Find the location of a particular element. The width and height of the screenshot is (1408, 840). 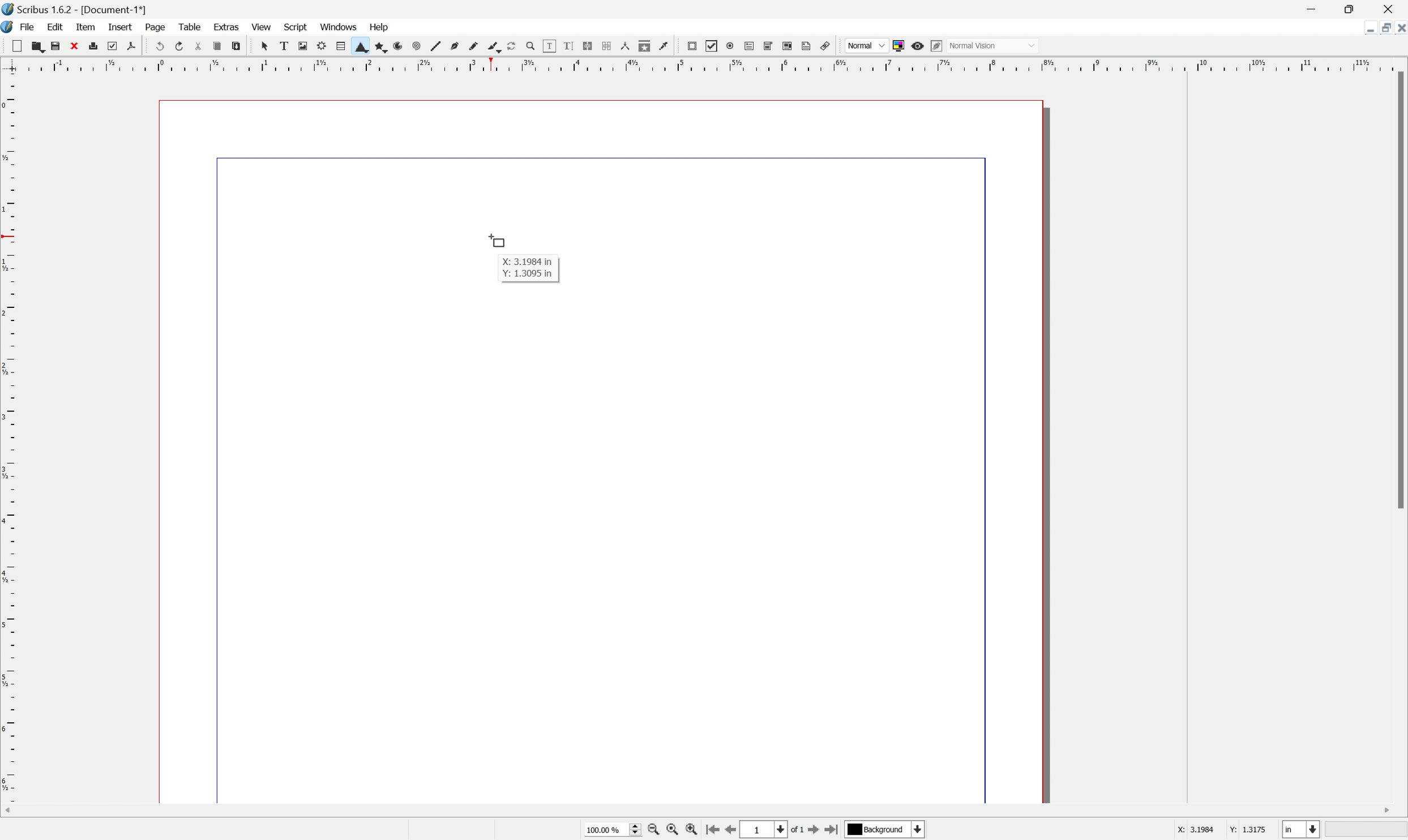

Scroll Right is located at coordinates (1384, 811).